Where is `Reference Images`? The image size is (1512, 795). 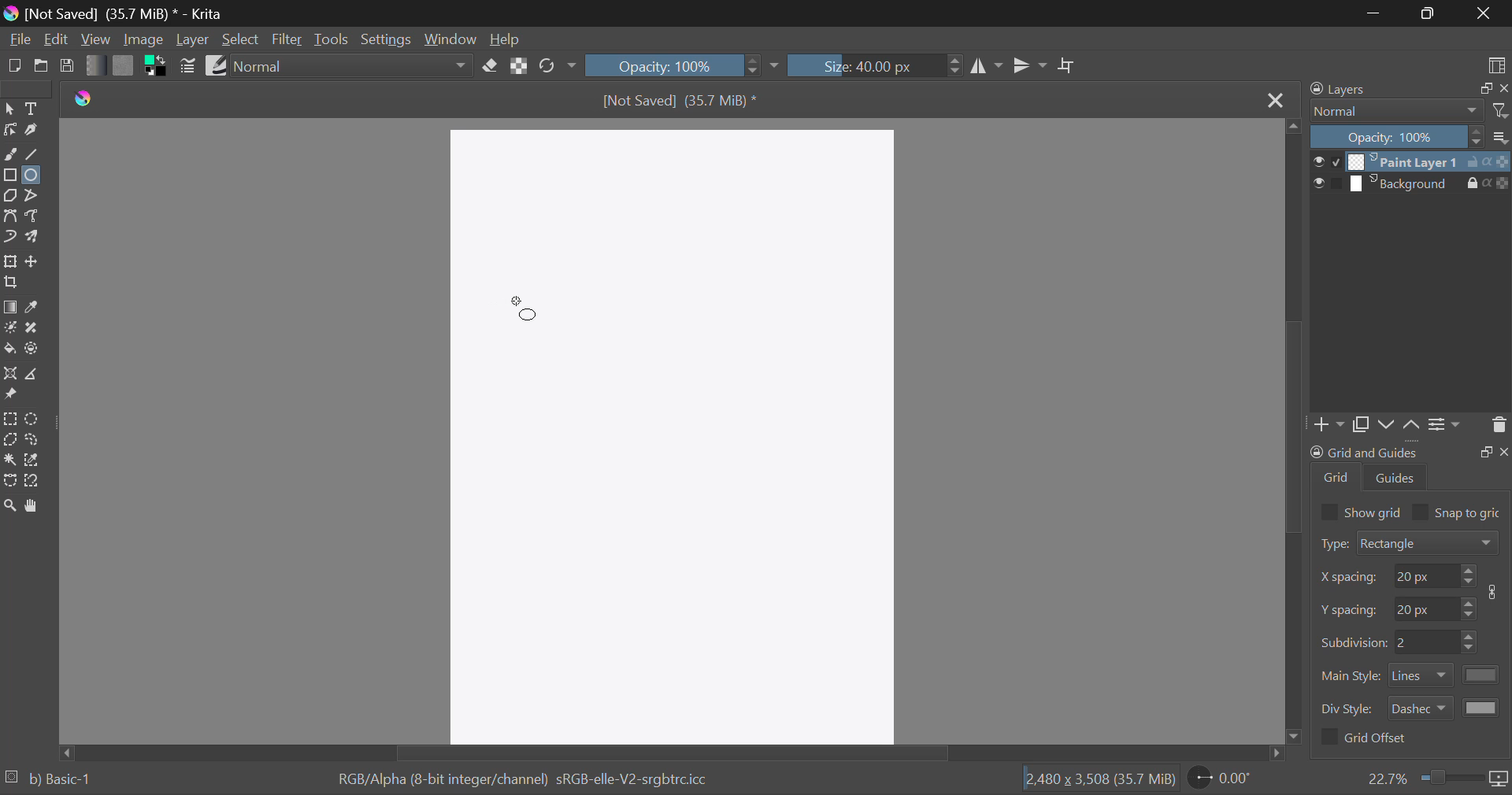 Reference Images is located at coordinates (9, 394).